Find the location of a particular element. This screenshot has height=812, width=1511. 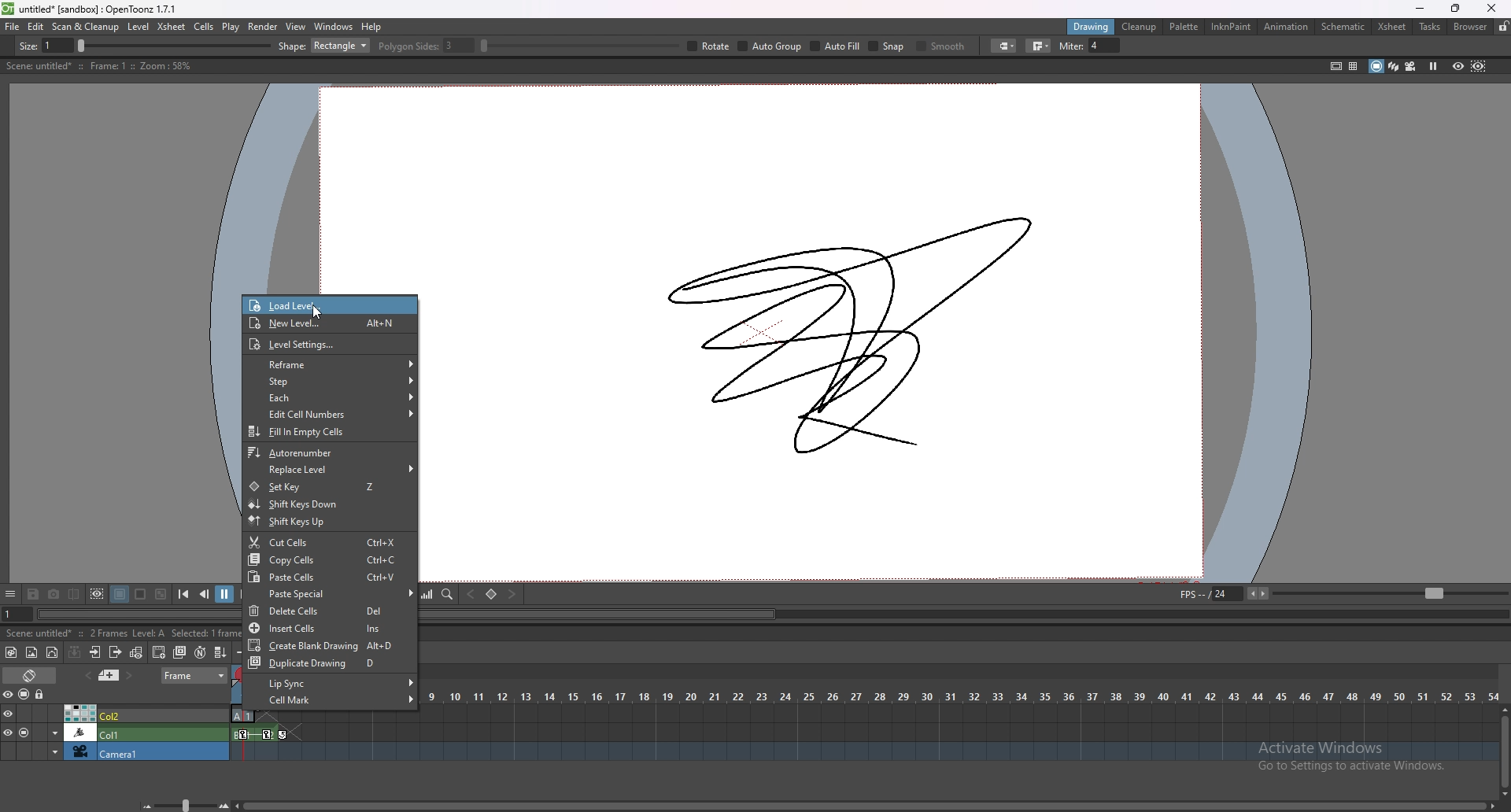

description is located at coordinates (124, 632).